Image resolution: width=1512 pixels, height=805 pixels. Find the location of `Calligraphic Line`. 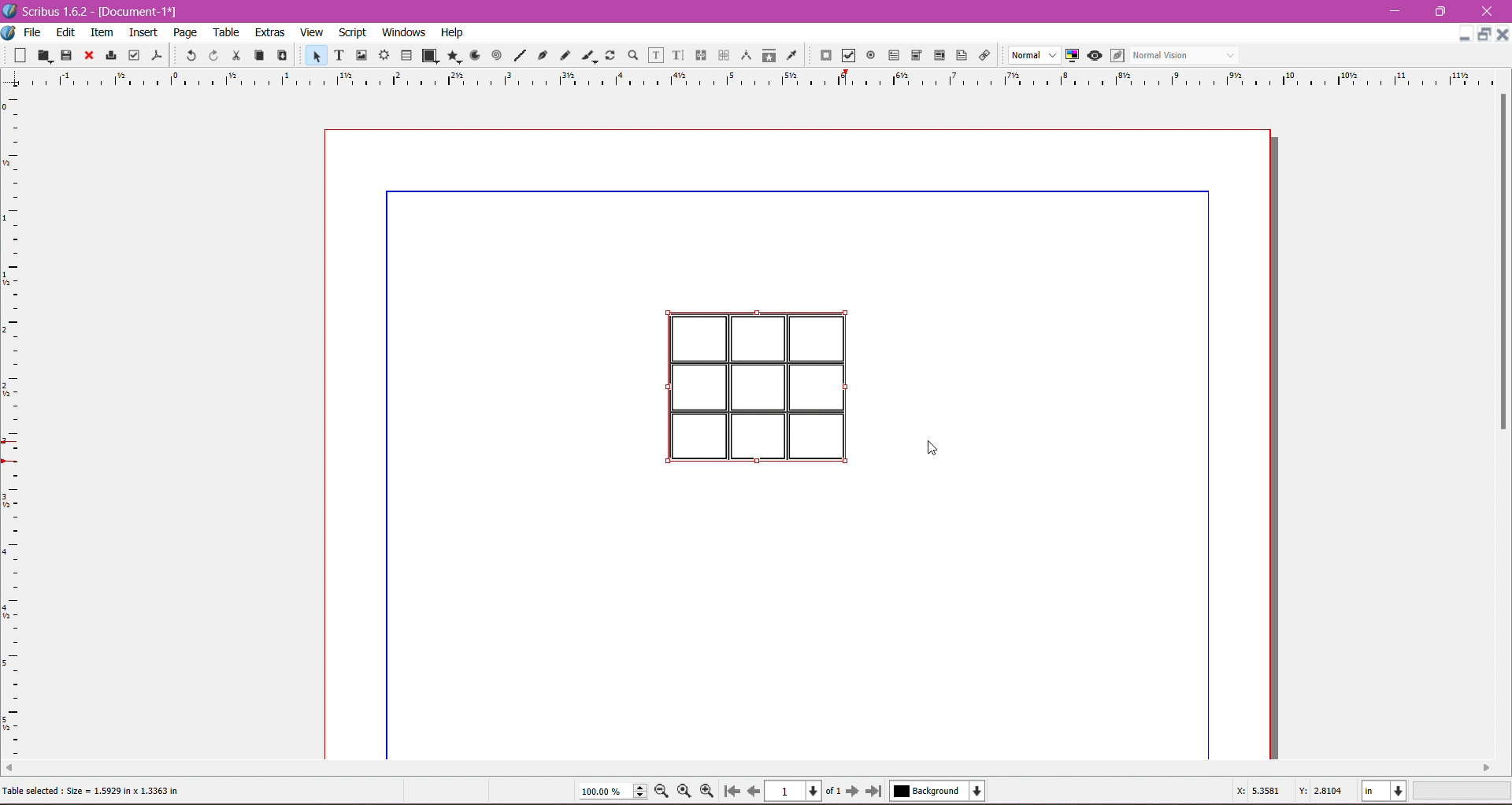

Calligraphic Line is located at coordinates (588, 54).